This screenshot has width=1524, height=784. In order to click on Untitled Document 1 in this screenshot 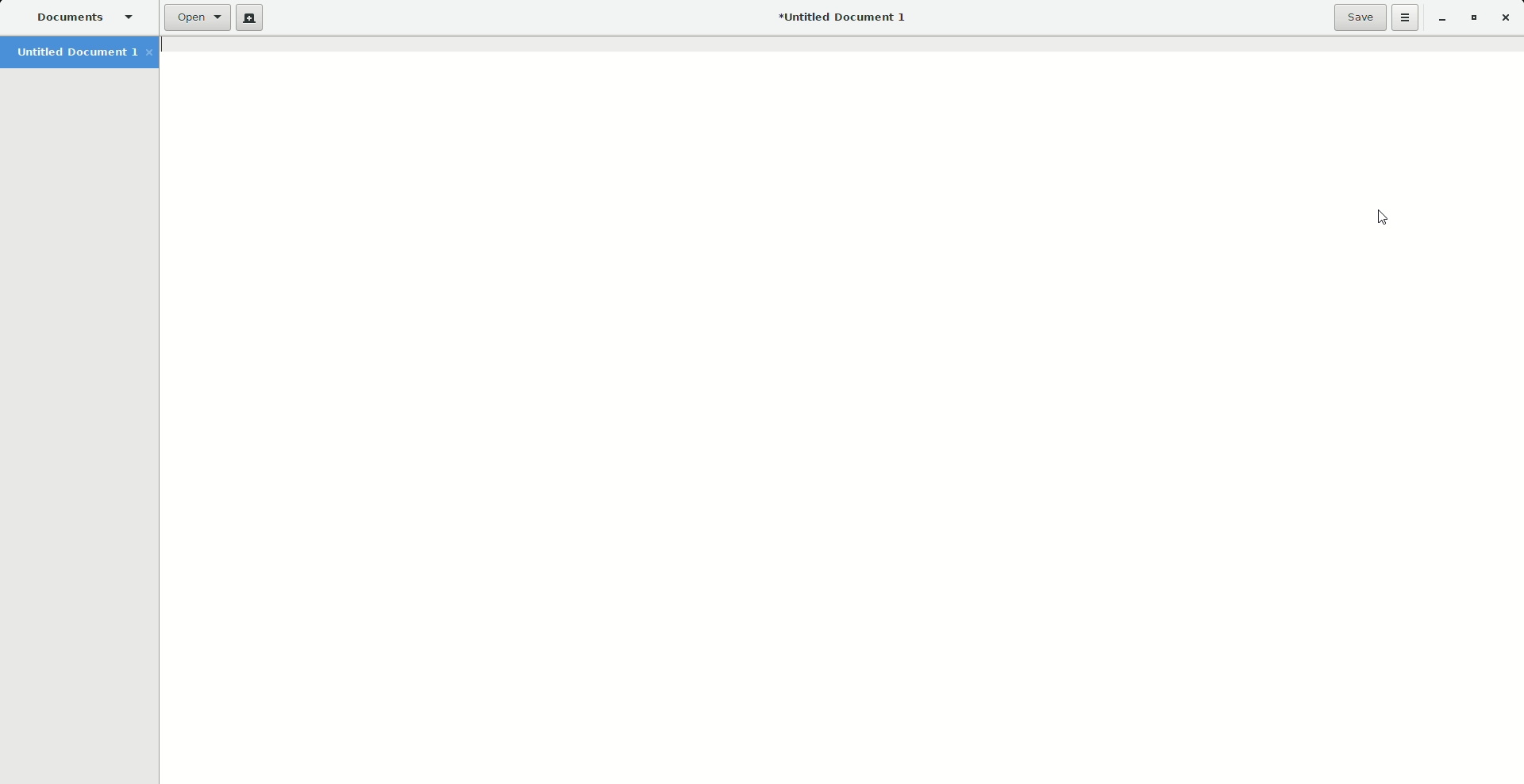, I will do `click(84, 54)`.